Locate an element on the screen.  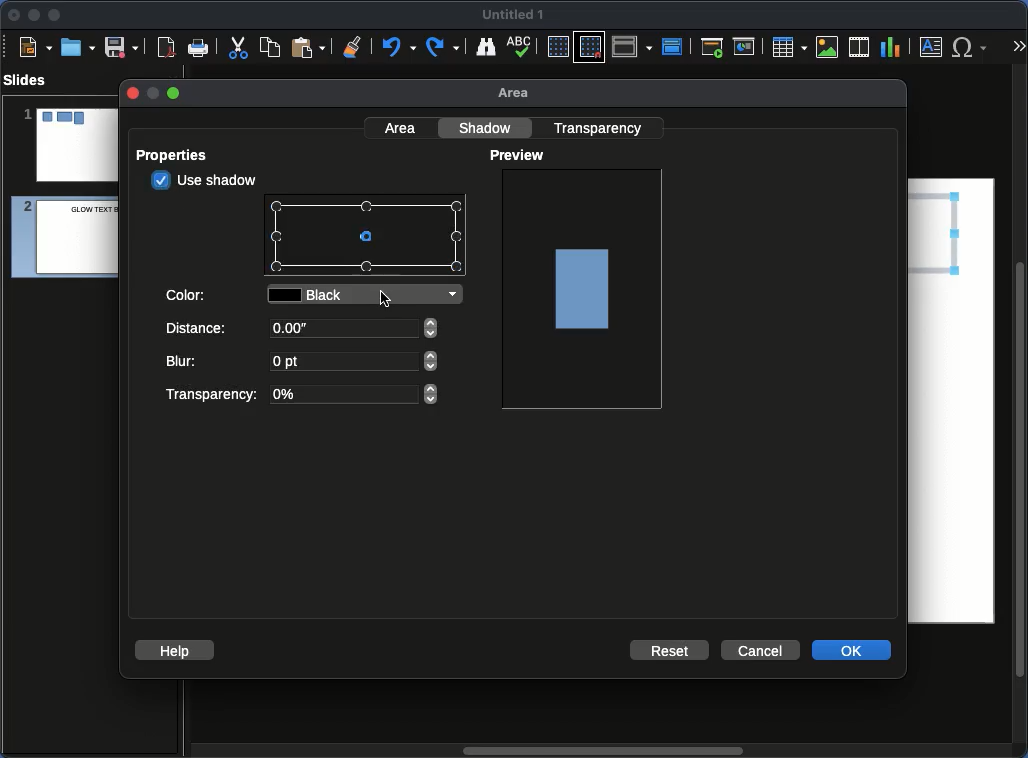
Area is located at coordinates (402, 127).